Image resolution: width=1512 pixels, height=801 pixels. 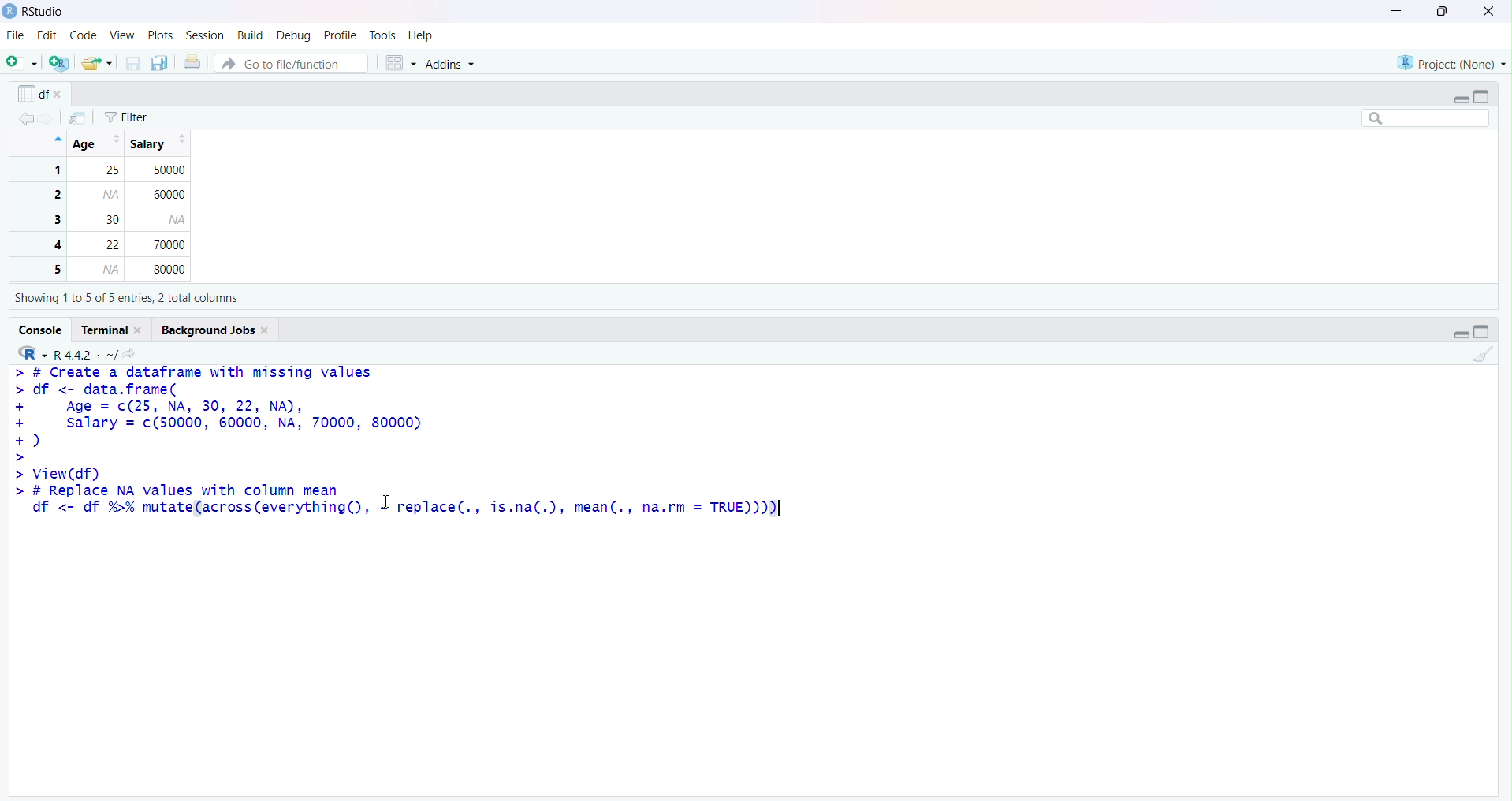 I want to click on Workspace panes, so click(x=397, y=59).